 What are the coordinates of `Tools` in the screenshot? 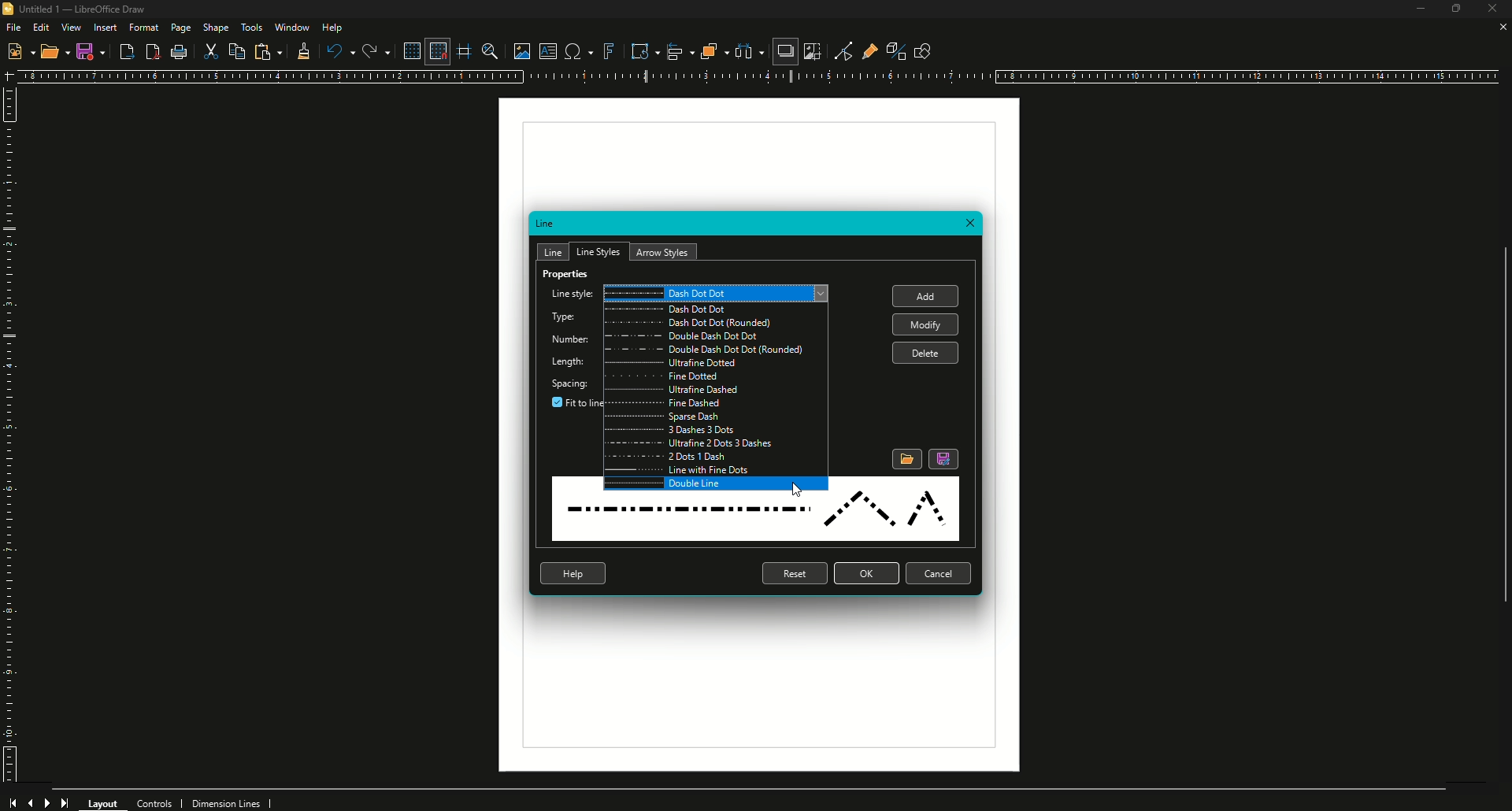 It's located at (251, 28).